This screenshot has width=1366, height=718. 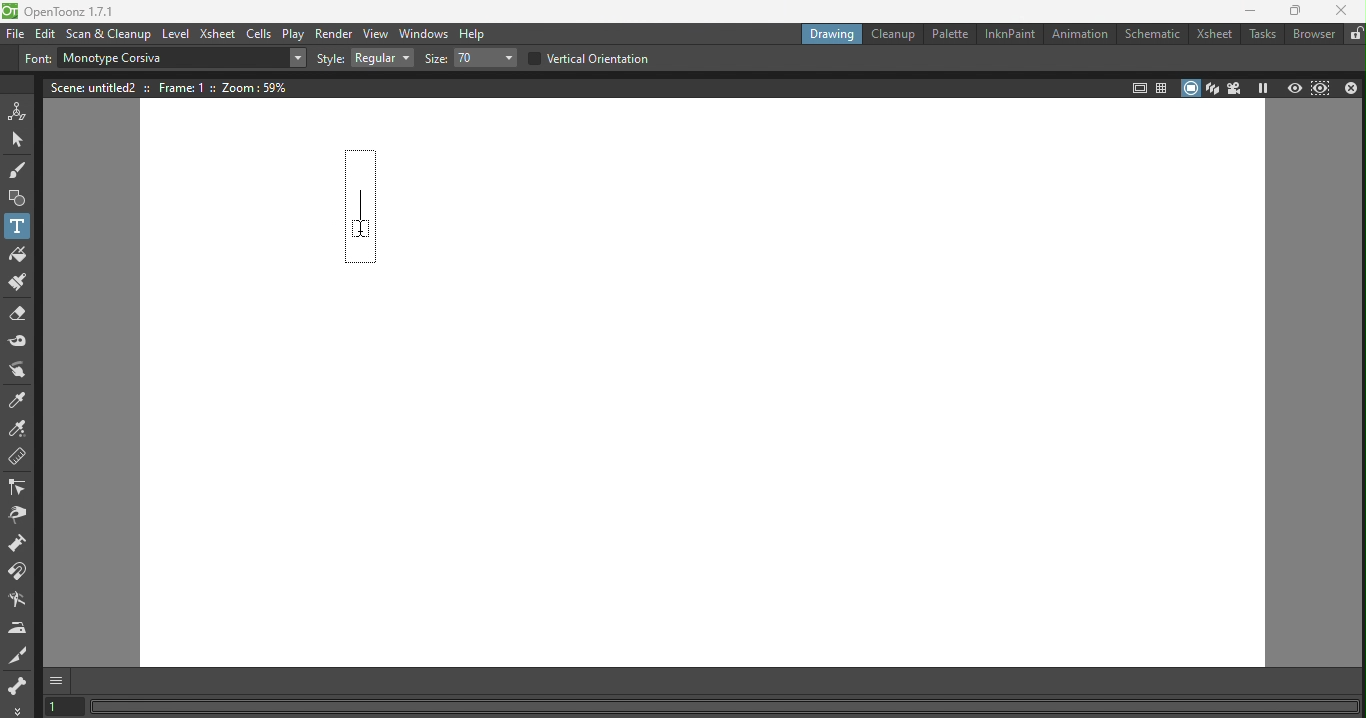 I want to click on Freeze, so click(x=1261, y=87).